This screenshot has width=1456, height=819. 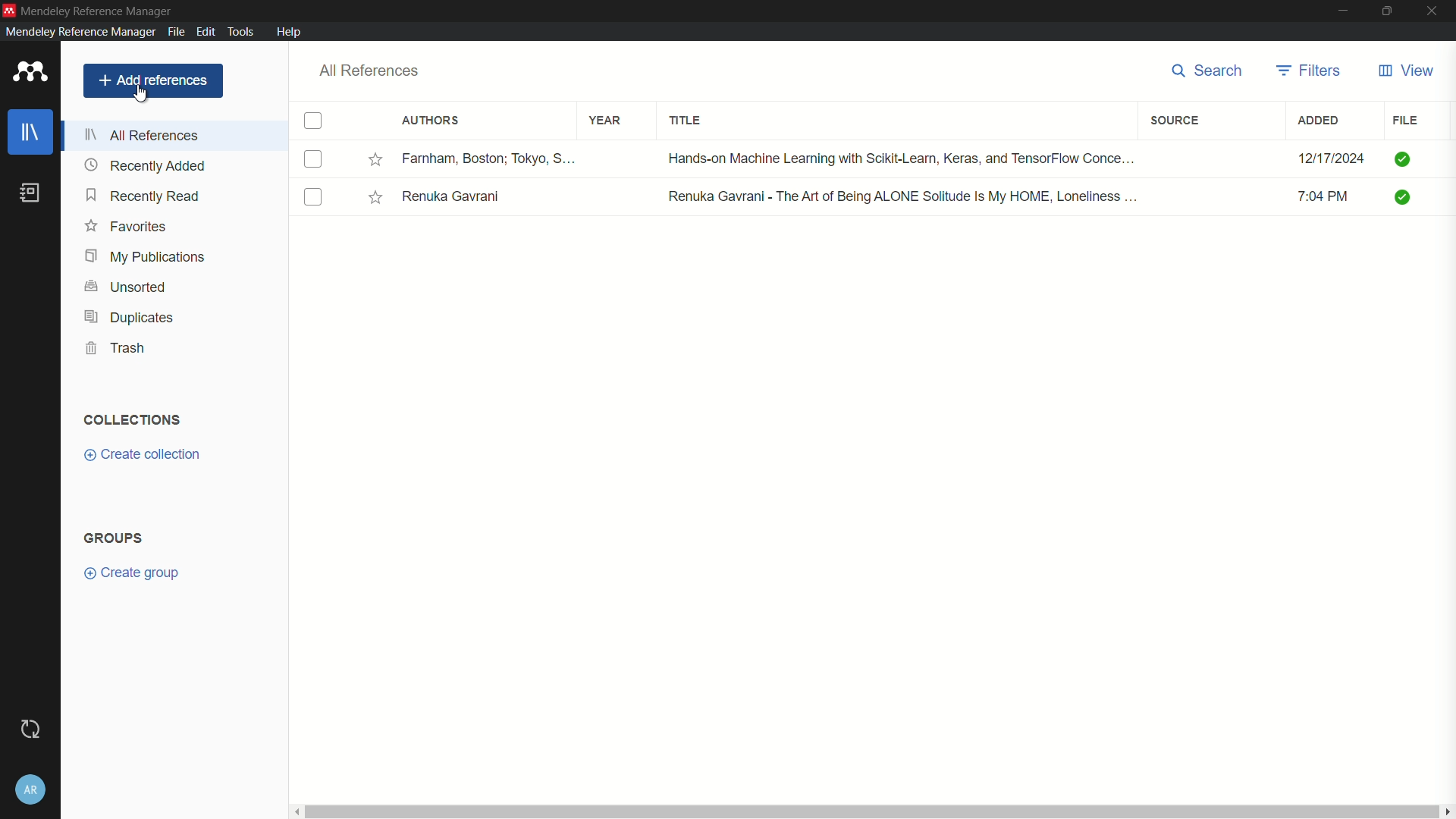 I want to click on tools, so click(x=240, y=31).